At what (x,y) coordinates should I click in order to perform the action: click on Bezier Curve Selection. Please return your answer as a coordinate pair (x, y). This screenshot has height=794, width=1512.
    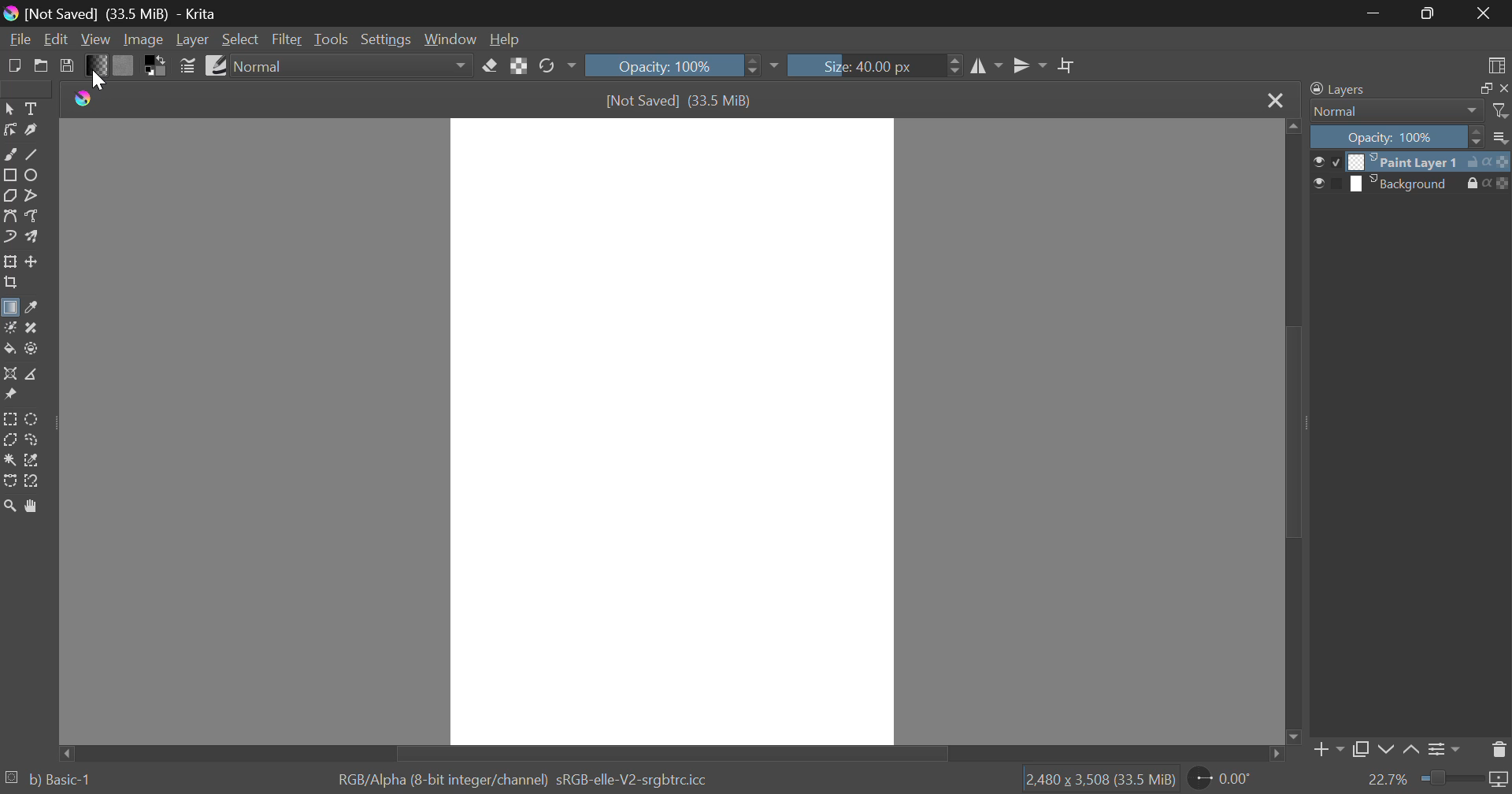
    Looking at the image, I should click on (9, 479).